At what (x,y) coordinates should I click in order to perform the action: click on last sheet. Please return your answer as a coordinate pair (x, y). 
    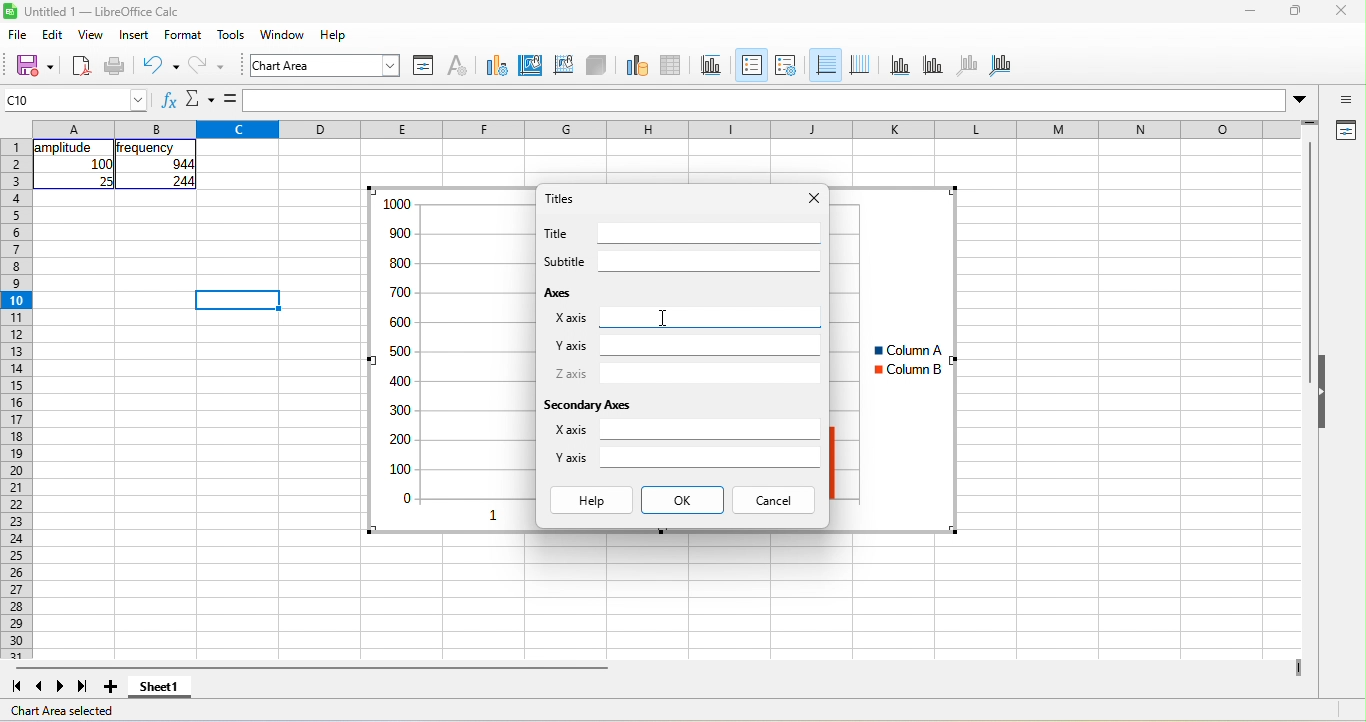
    Looking at the image, I should click on (83, 687).